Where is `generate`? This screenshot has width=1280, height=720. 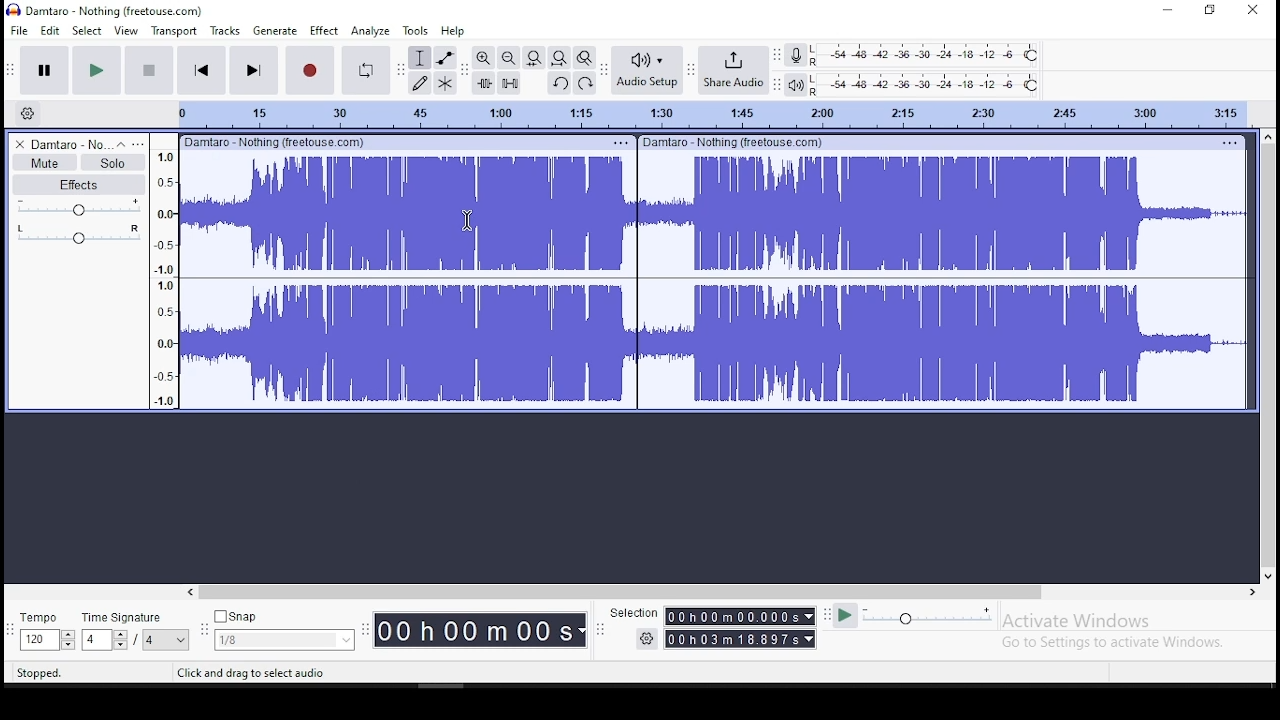
generate is located at coordinates (277, 32).